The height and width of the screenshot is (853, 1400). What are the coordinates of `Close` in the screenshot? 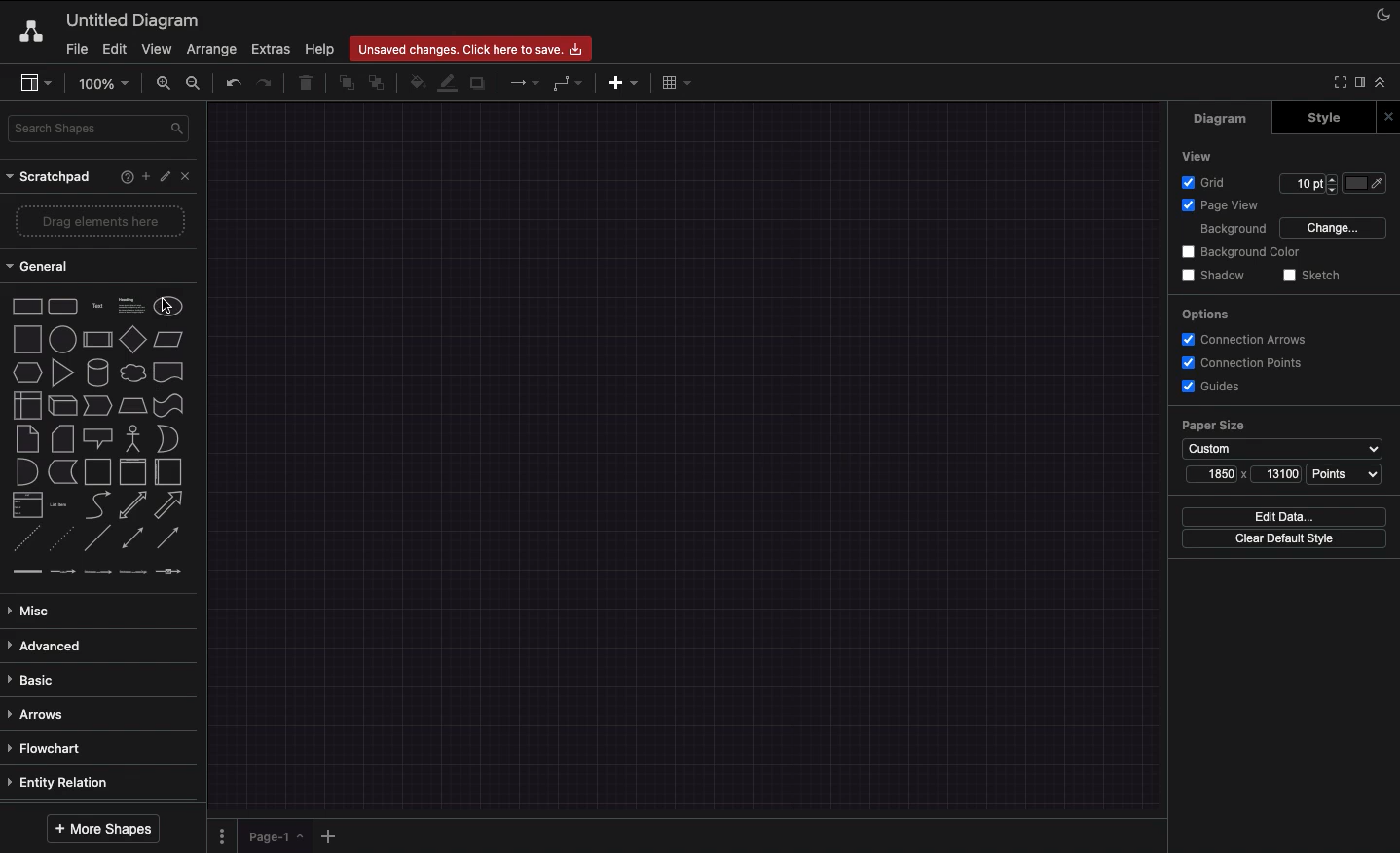 It's located at (191, 175).